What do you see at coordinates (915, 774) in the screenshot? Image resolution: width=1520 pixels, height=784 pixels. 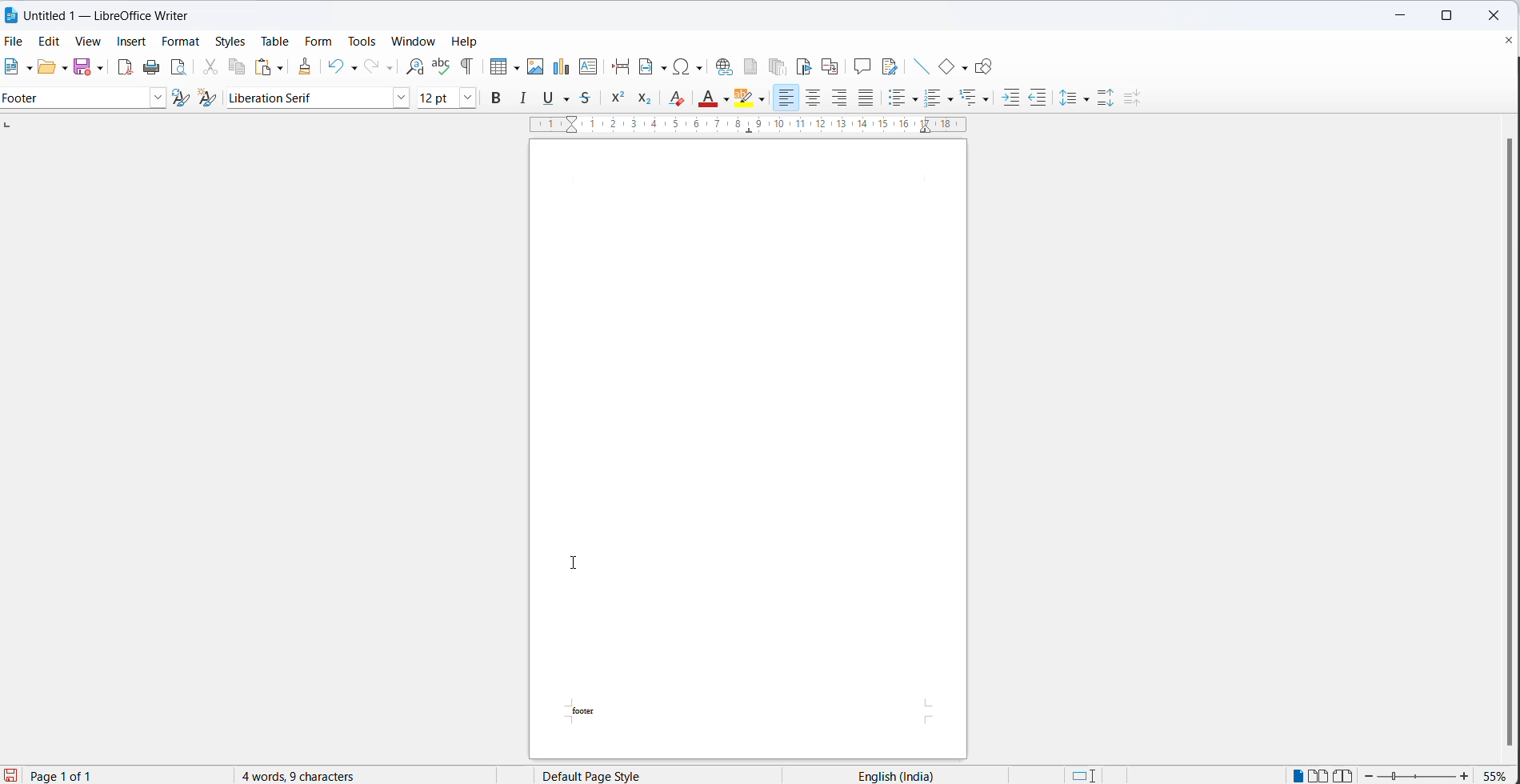 I see `text language` at bounding box center [915, 774].